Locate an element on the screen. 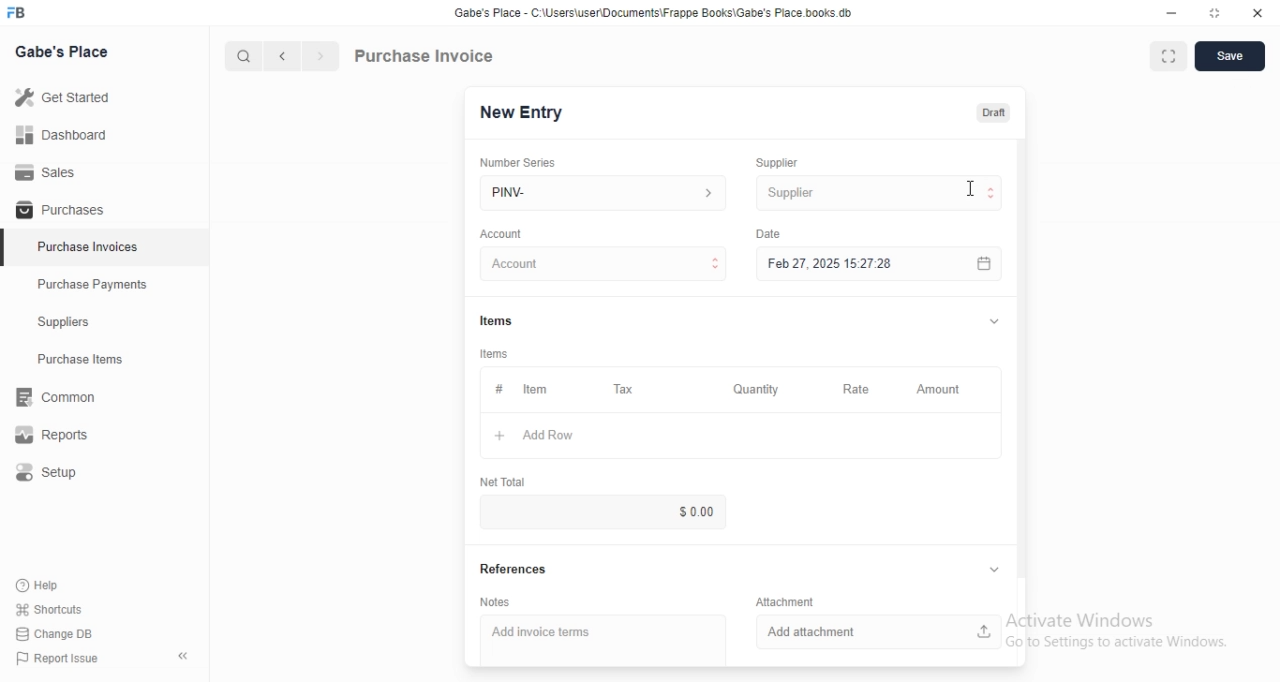  Quantity is located at coordinates (757, 389).